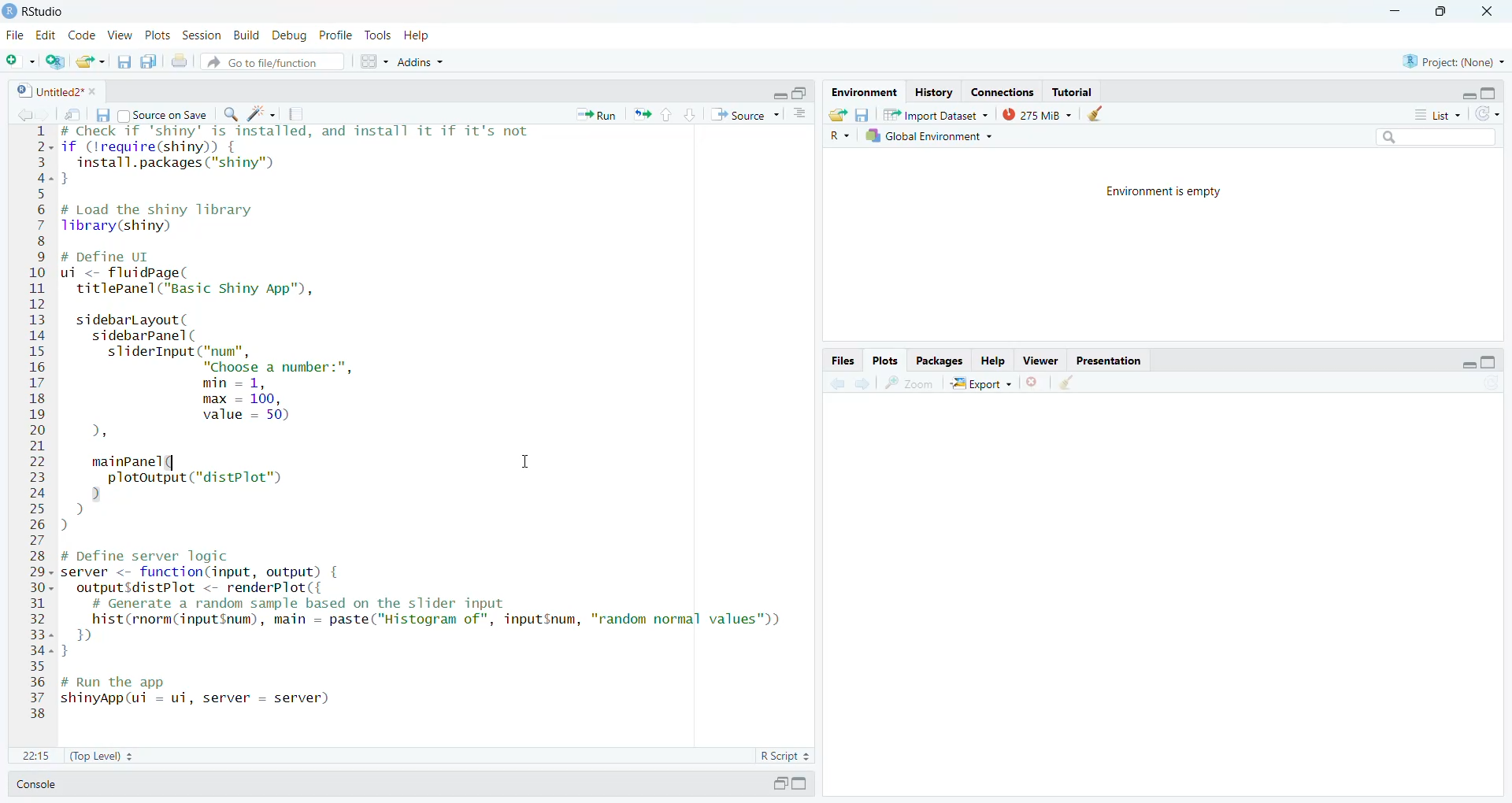 The image size is (1512, 803). I want to click on (Top Level), so click(102, 756).